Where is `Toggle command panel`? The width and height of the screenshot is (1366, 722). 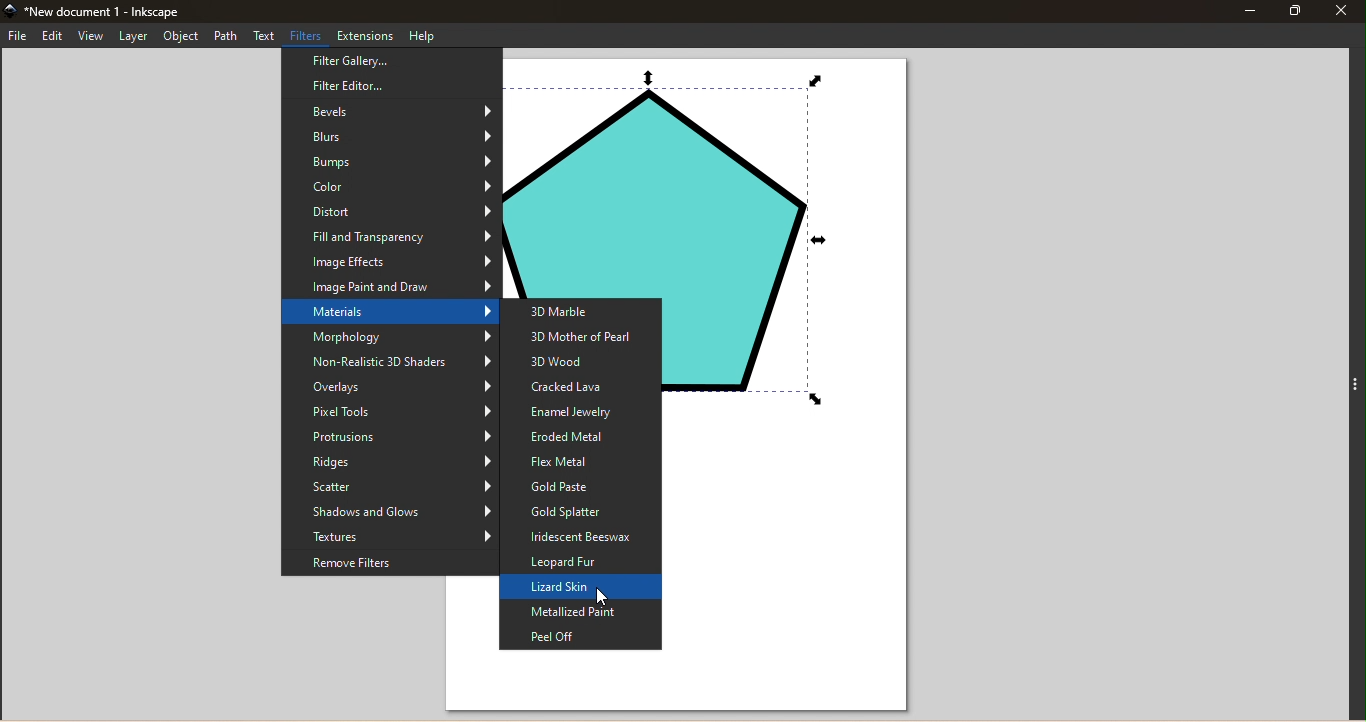 Toggle command panel is located at coordinates (1353, 382).